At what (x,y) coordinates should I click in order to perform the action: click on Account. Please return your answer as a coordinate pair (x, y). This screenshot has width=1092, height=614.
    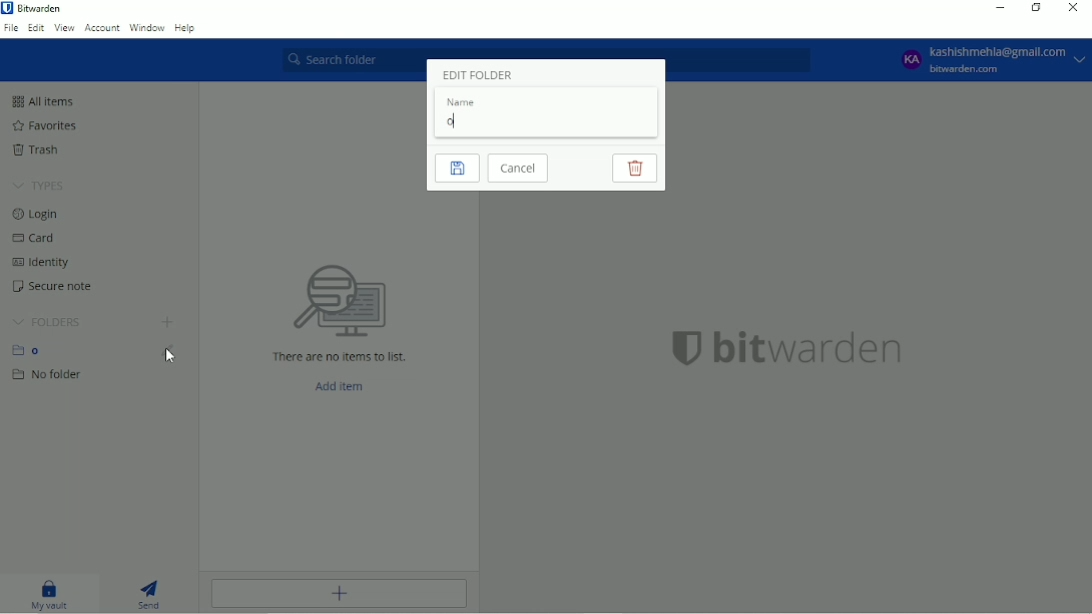
    Looking at the image, I should click on (102, 28).